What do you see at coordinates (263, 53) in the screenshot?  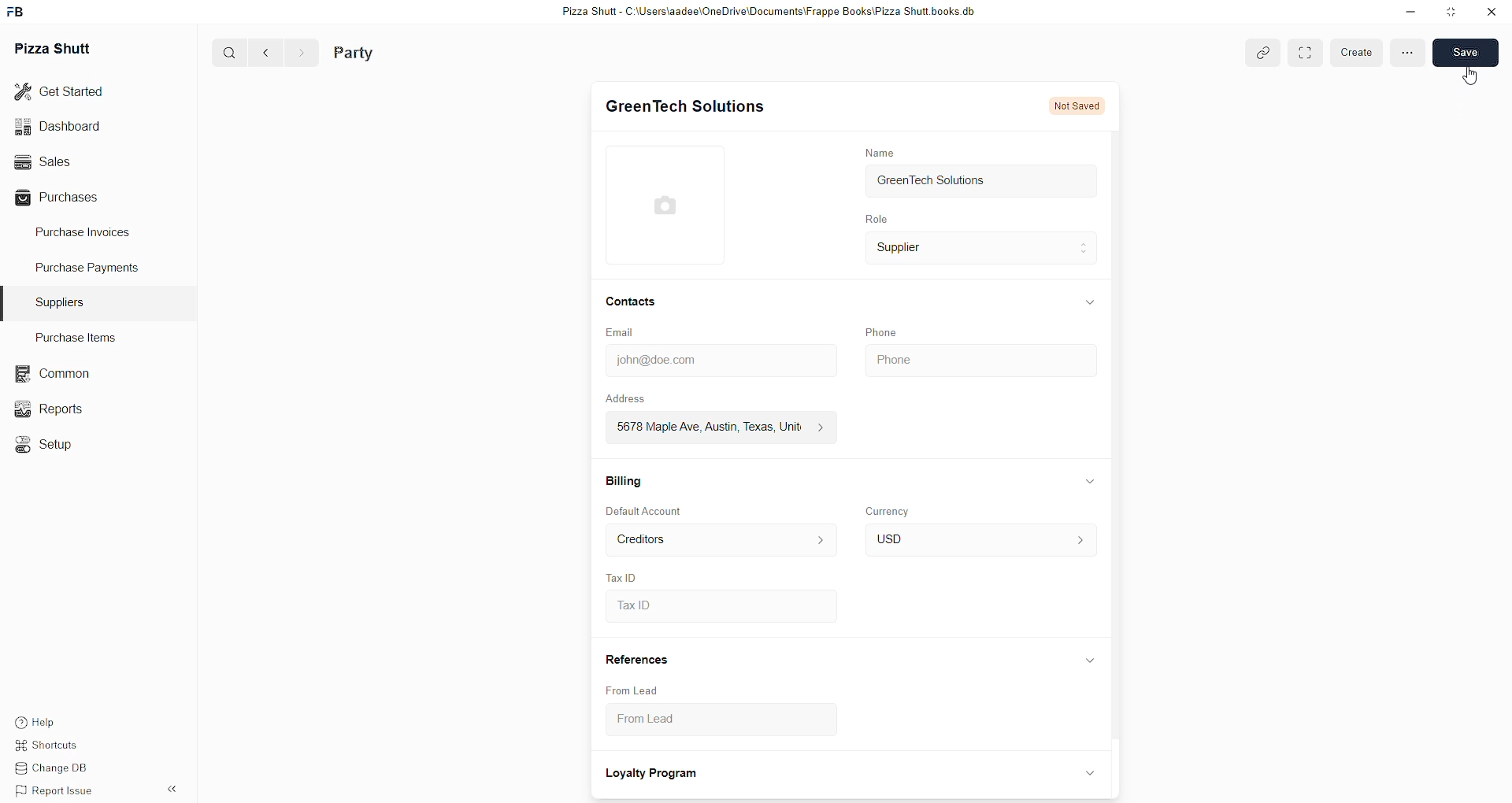 I see `previous page` at bounding box center [263, 53].